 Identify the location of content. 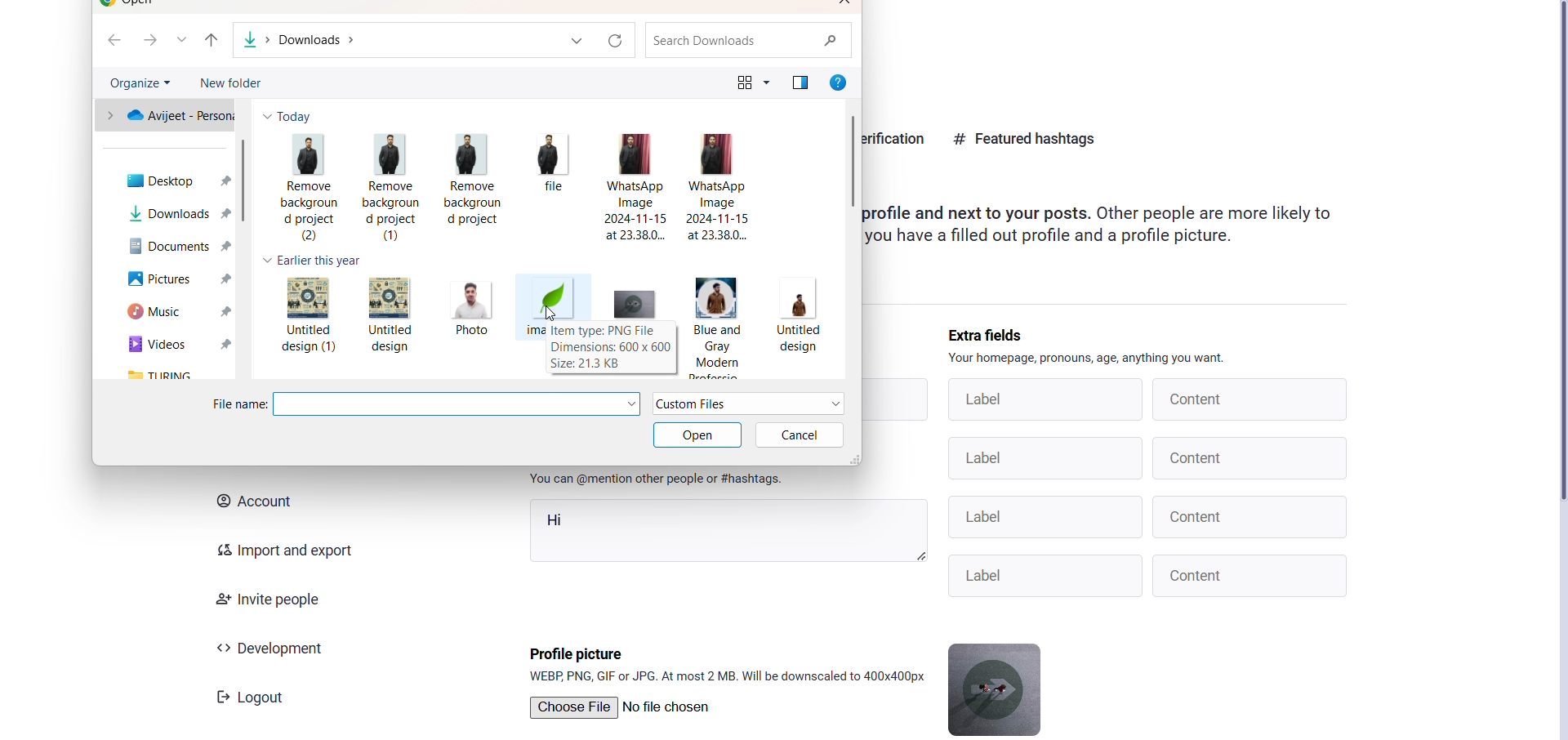
(1248, 399).